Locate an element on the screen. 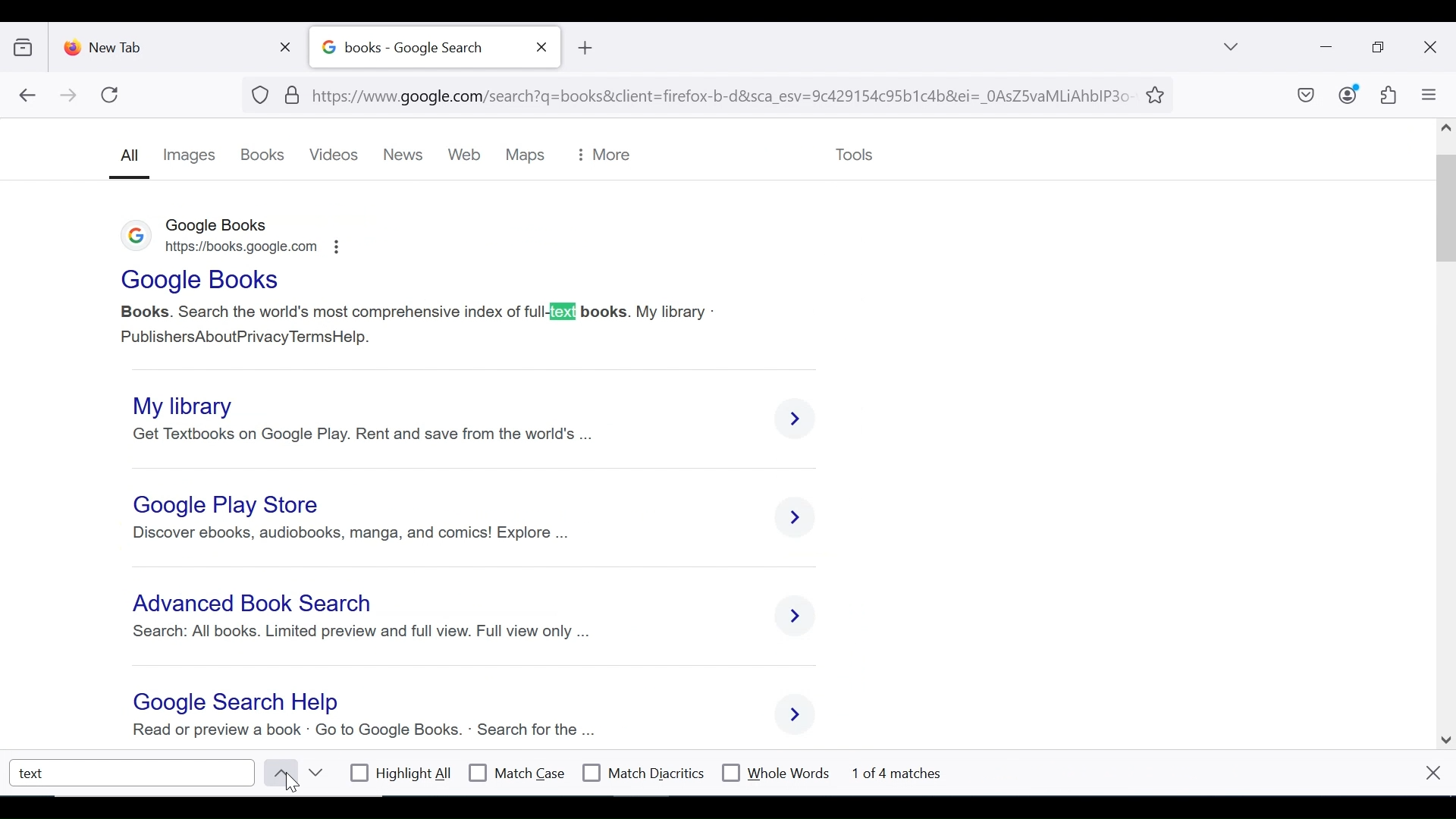 The image size is (1456, 819). show recent browsing across devices is located at coordinates (27, 45).